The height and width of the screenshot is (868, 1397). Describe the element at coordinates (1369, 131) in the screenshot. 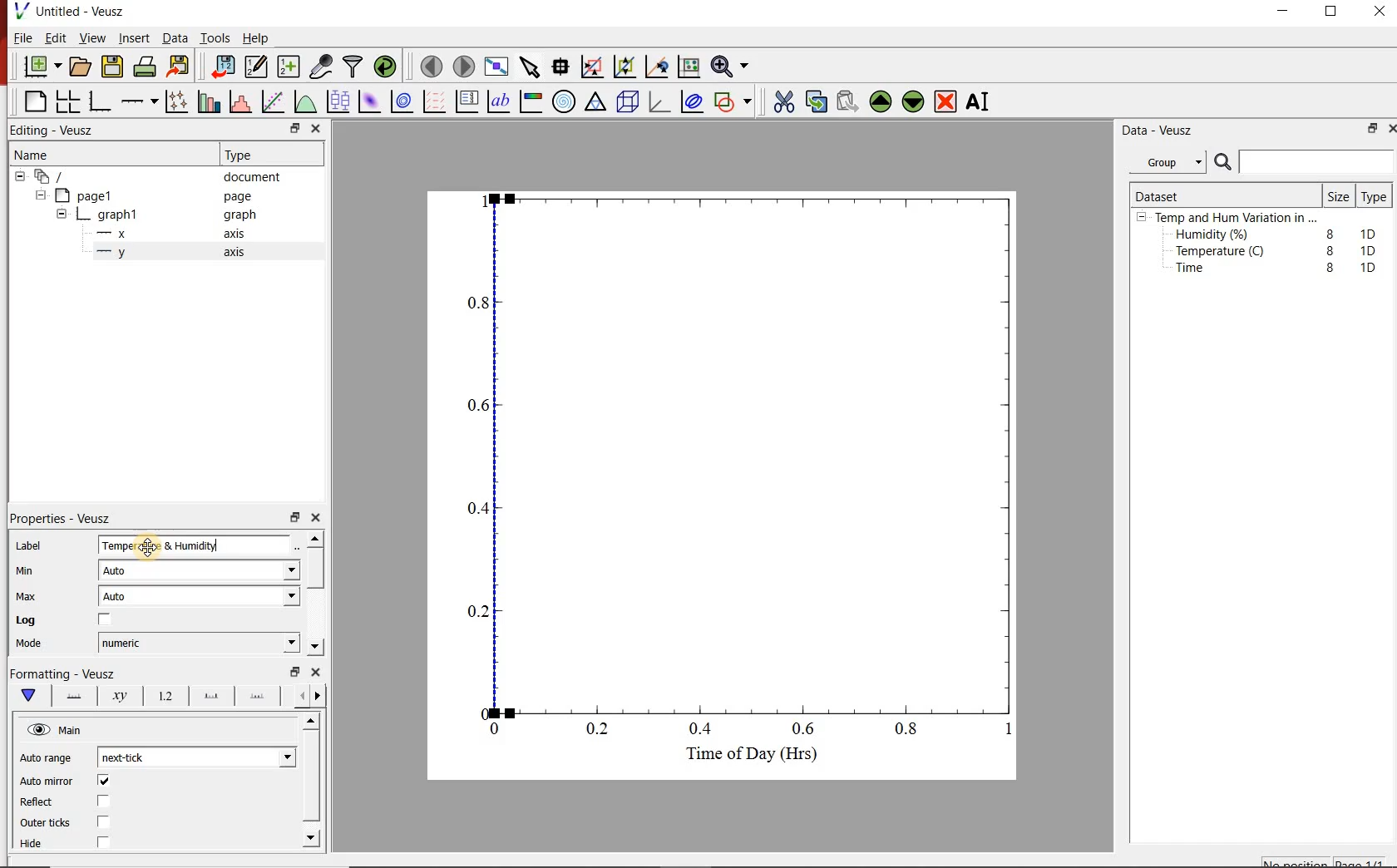

I see `restore down` at that location.